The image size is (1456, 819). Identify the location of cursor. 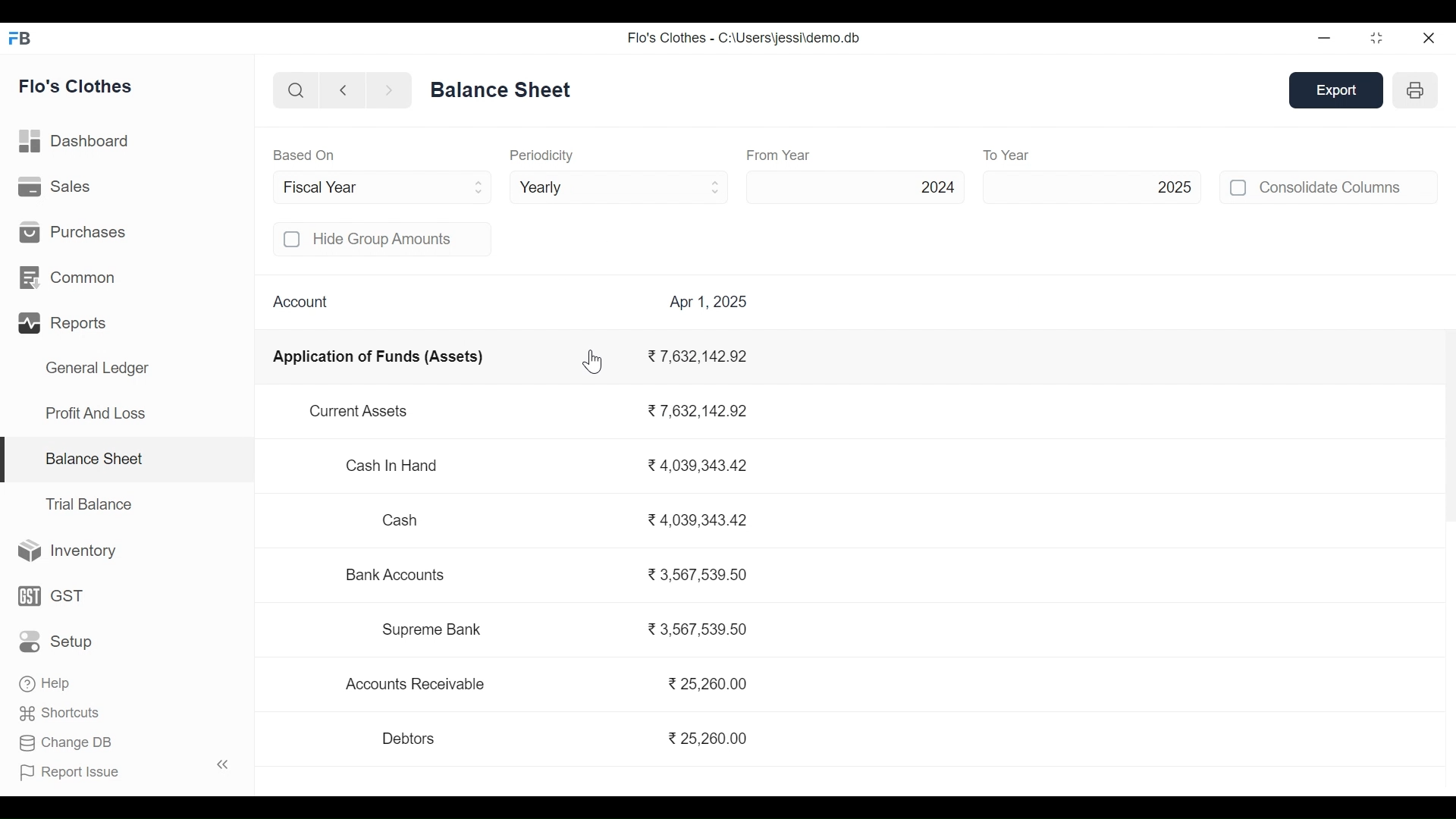
(594, 361).